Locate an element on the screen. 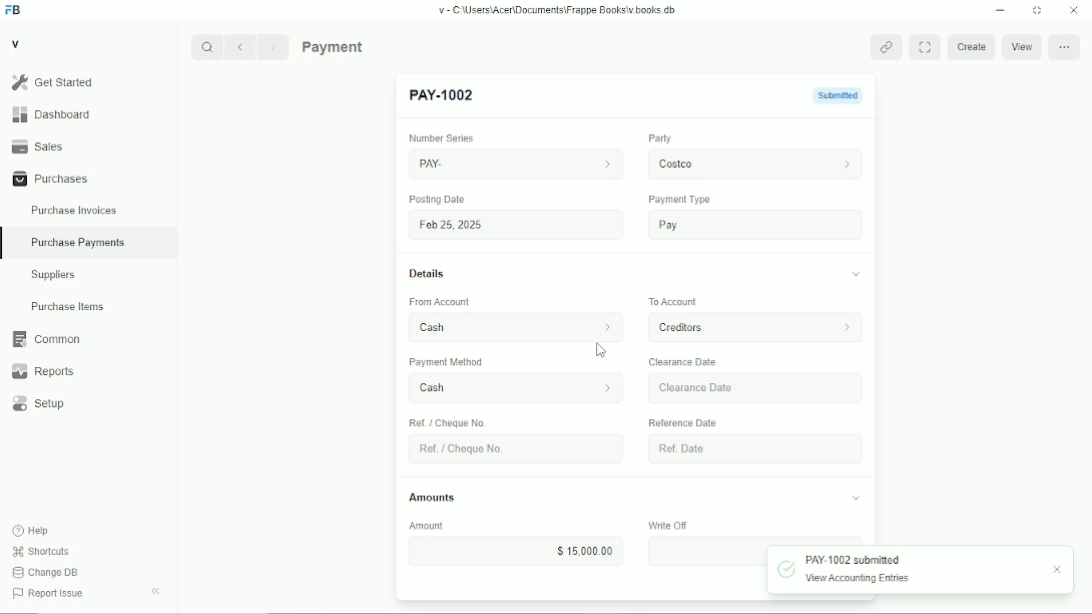 The image size is (1092, 614). Collapse is located at coordinates (155, 591).